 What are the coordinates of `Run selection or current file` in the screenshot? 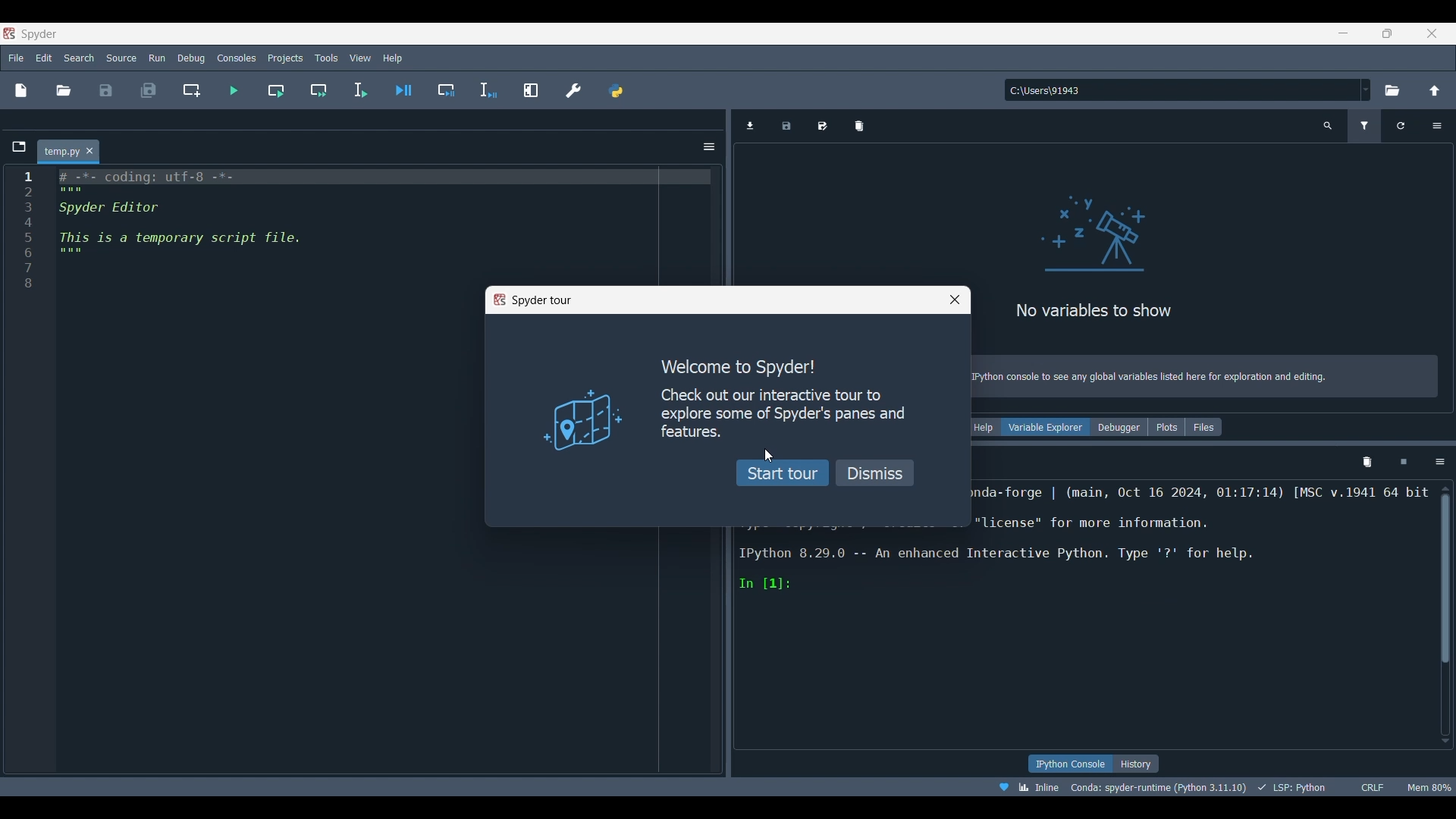 It's located at (359, 90).